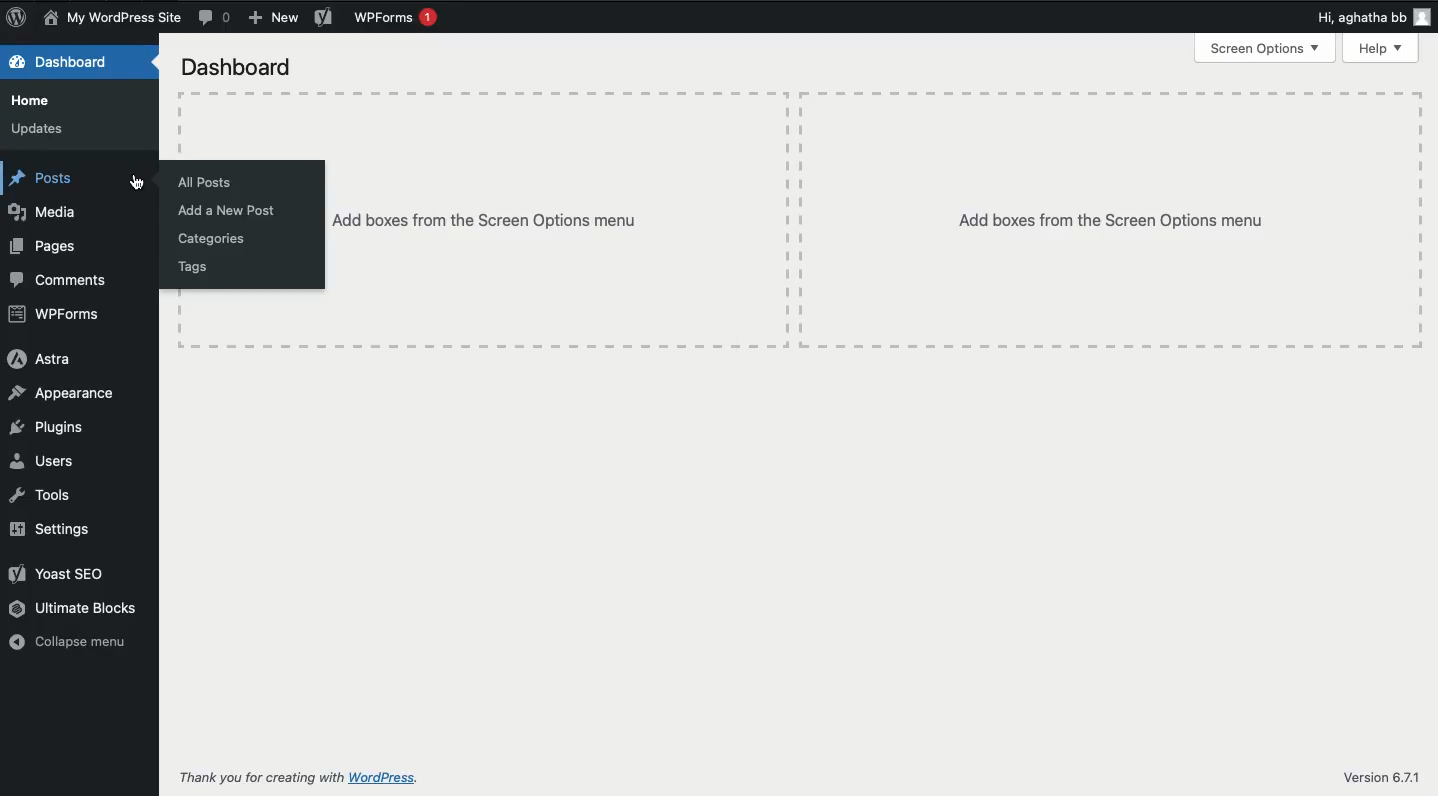 This screenshot has width=1438, height=796. Describe the element at coordinates (560, 218) in the screenshot. I see `Add boxes from the screen options menu` at that location.